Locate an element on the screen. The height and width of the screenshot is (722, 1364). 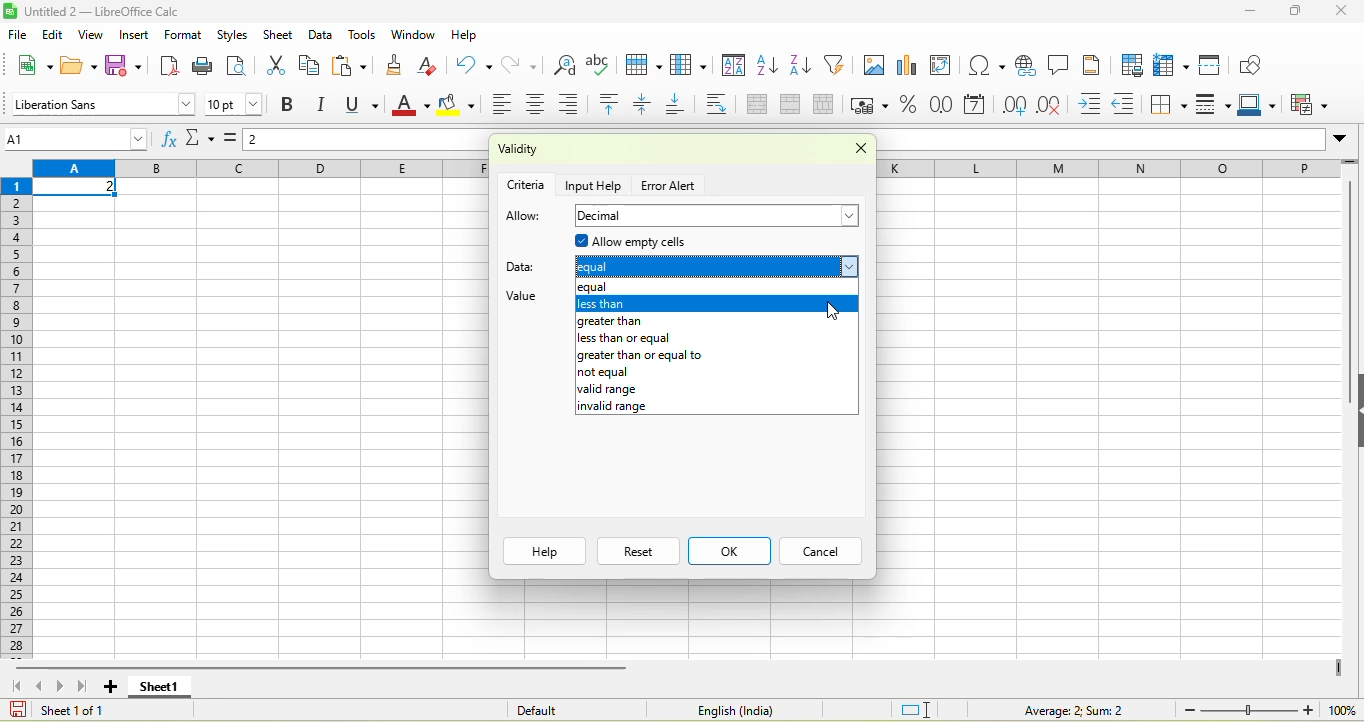
minuimize is located at coordinates (1249, 12).